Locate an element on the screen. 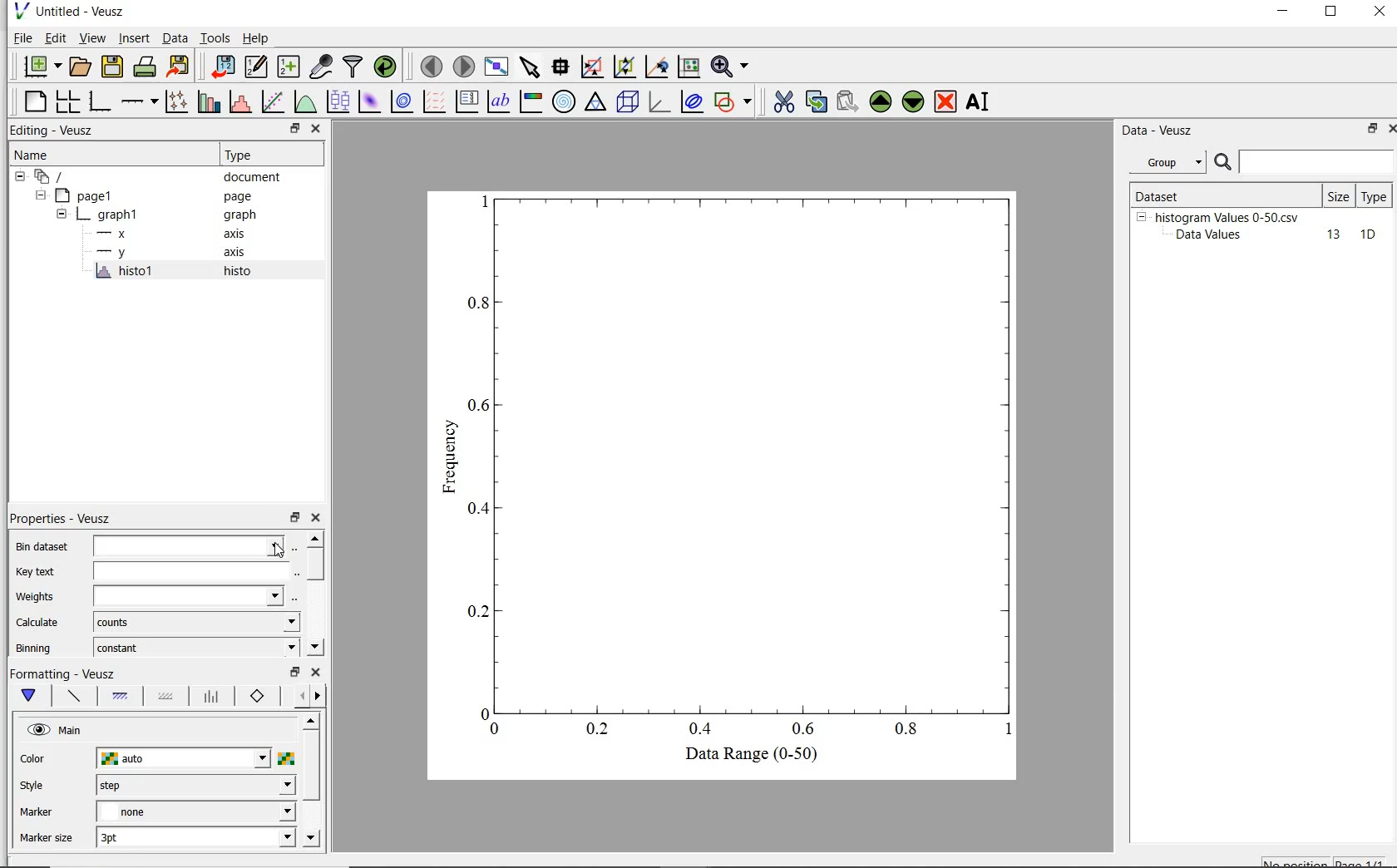 This screenshot has height=868, width=1397. plot line is located at coordinates (73, 698).